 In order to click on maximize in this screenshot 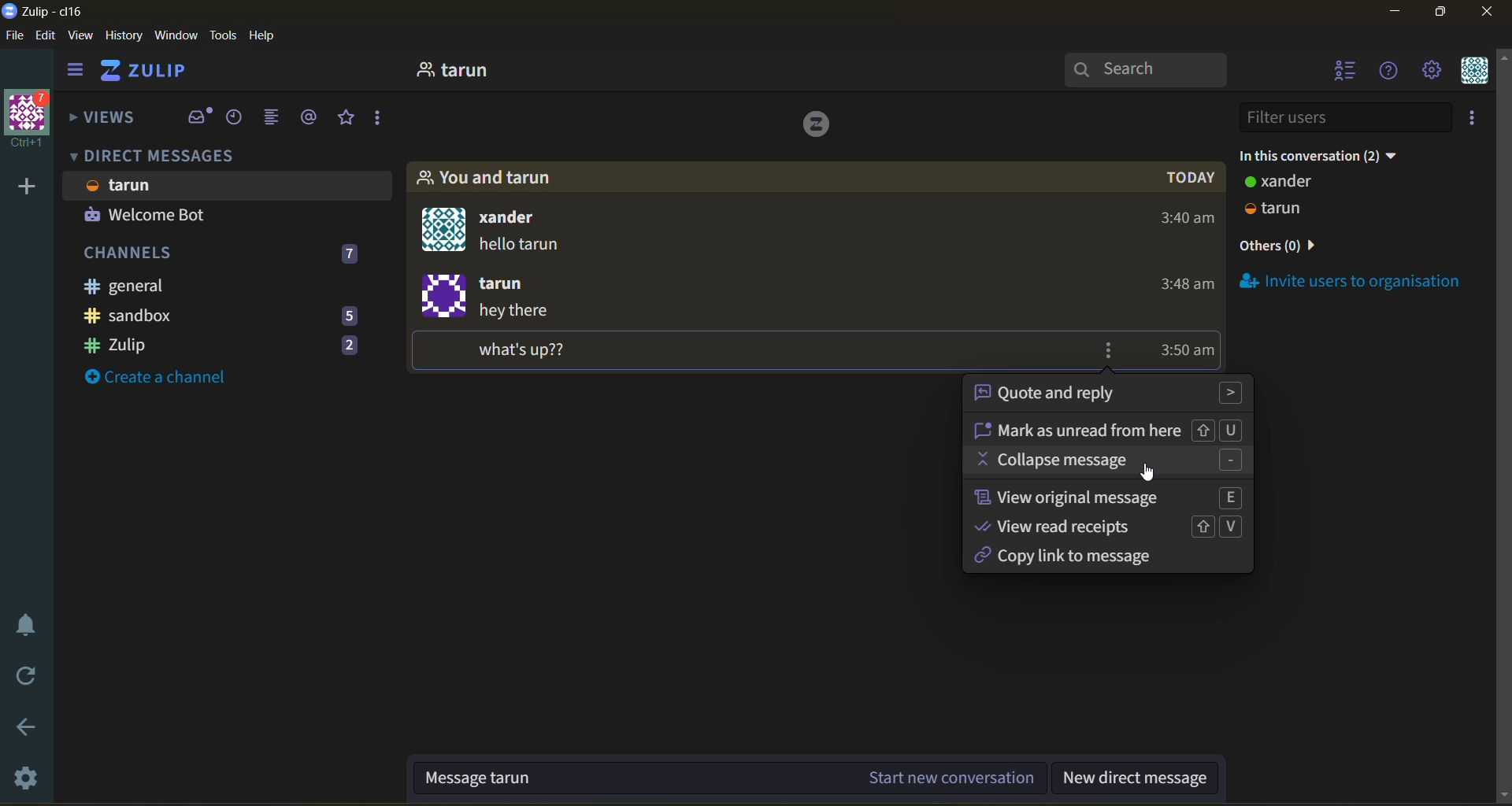, I will do `click(1448, 13)`.